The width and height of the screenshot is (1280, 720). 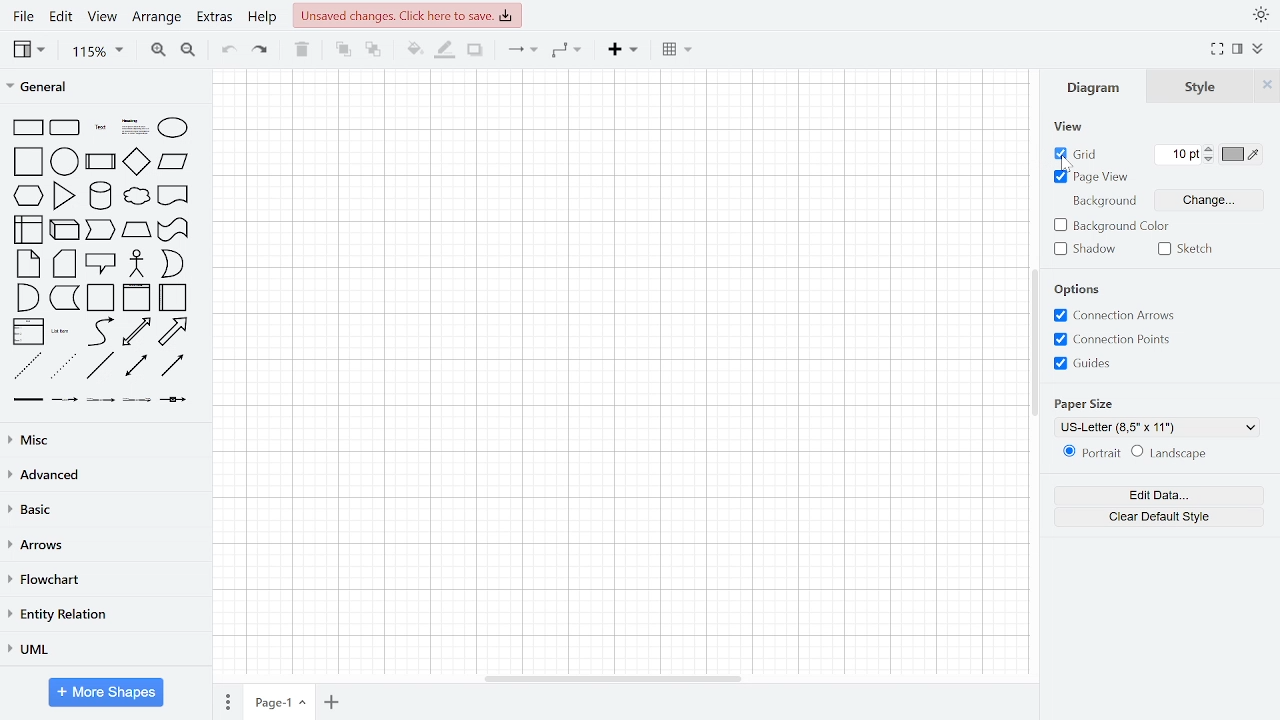 I want to click on fill line, so click(x=447, y=49).